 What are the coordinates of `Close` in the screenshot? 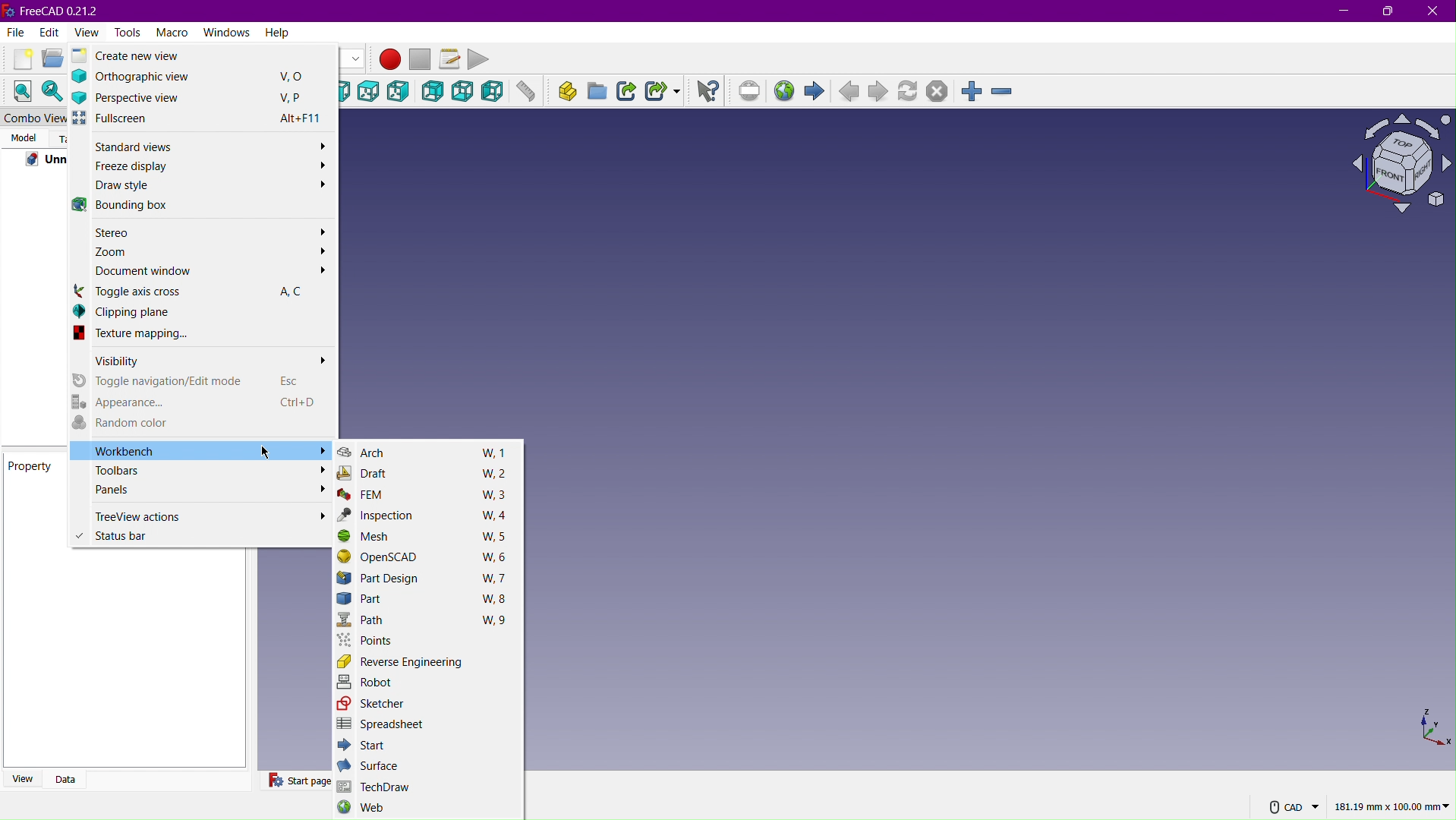 It's located at (1433, 10).